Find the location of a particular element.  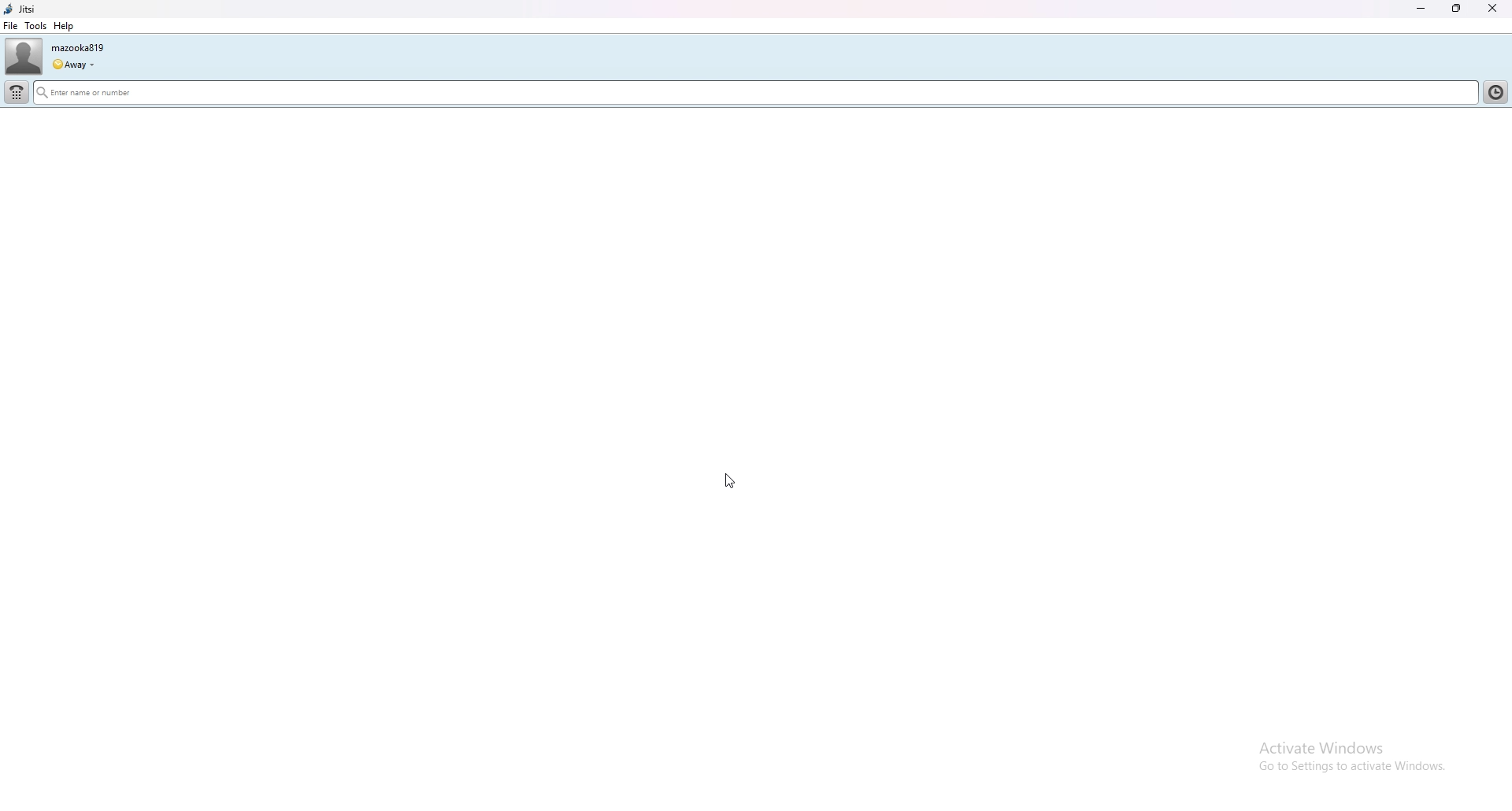

cursor is located at coordinates (728, 479).